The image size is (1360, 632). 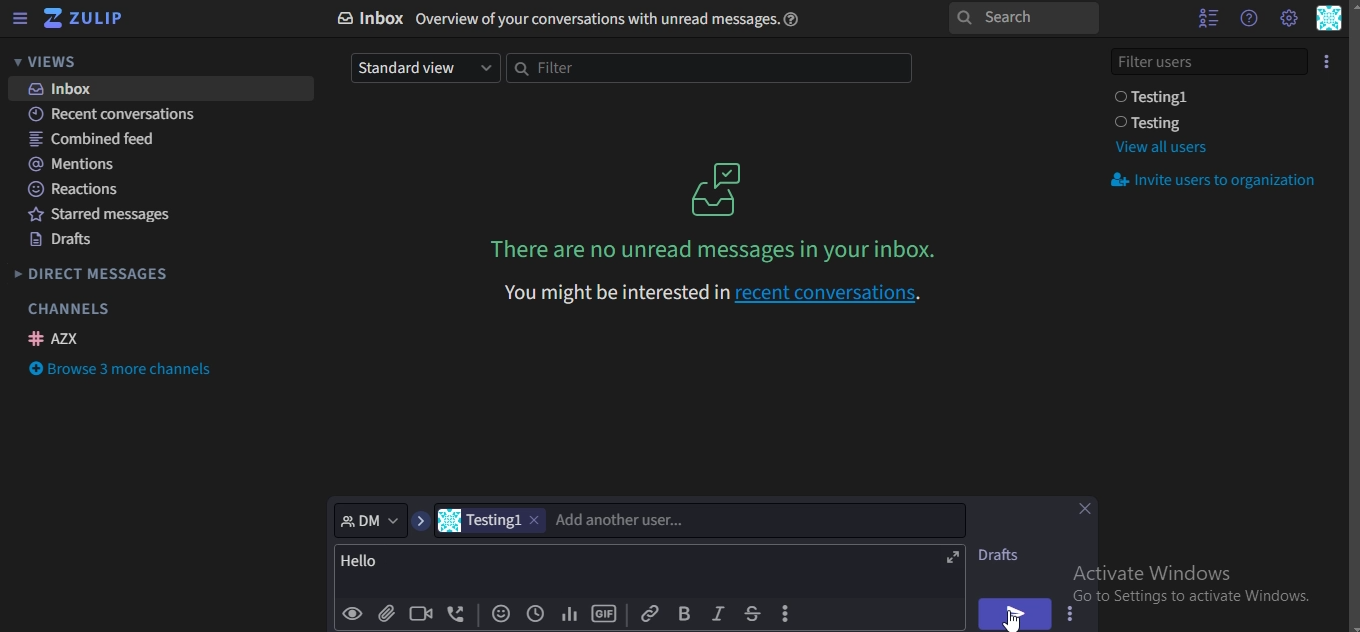 I want to click on inbox, so click(x=67, y=89).